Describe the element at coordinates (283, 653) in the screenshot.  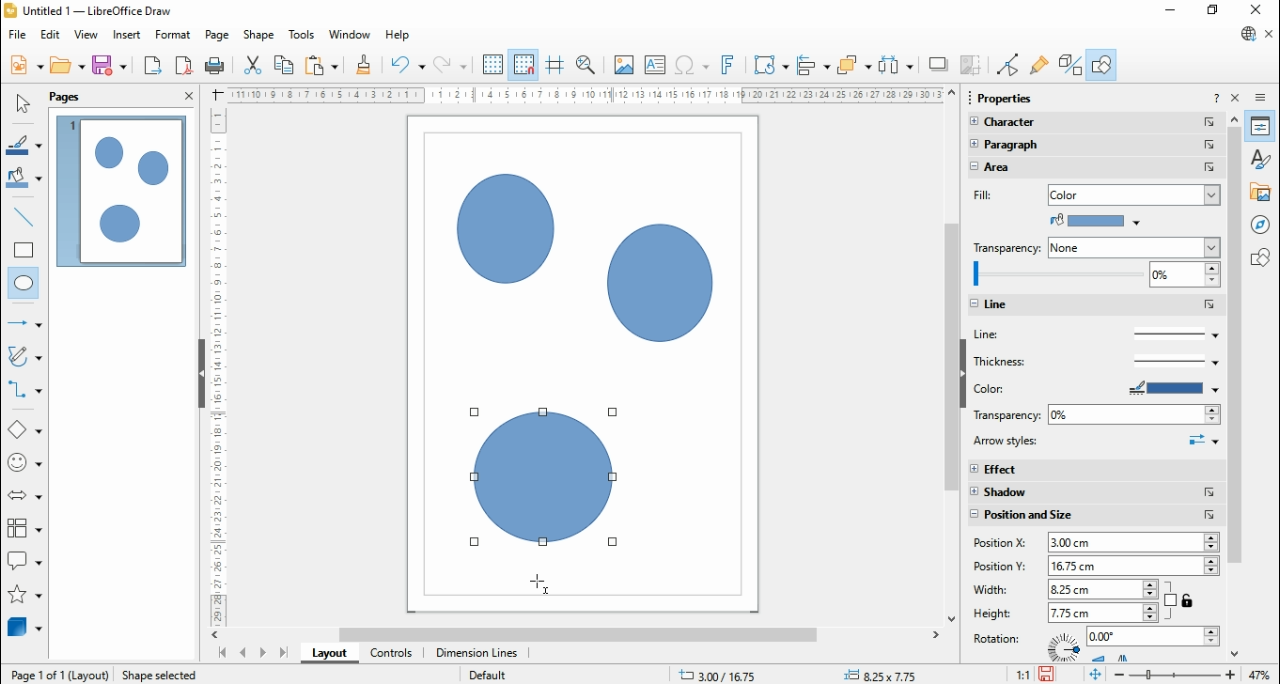
I see `last page` at that location.